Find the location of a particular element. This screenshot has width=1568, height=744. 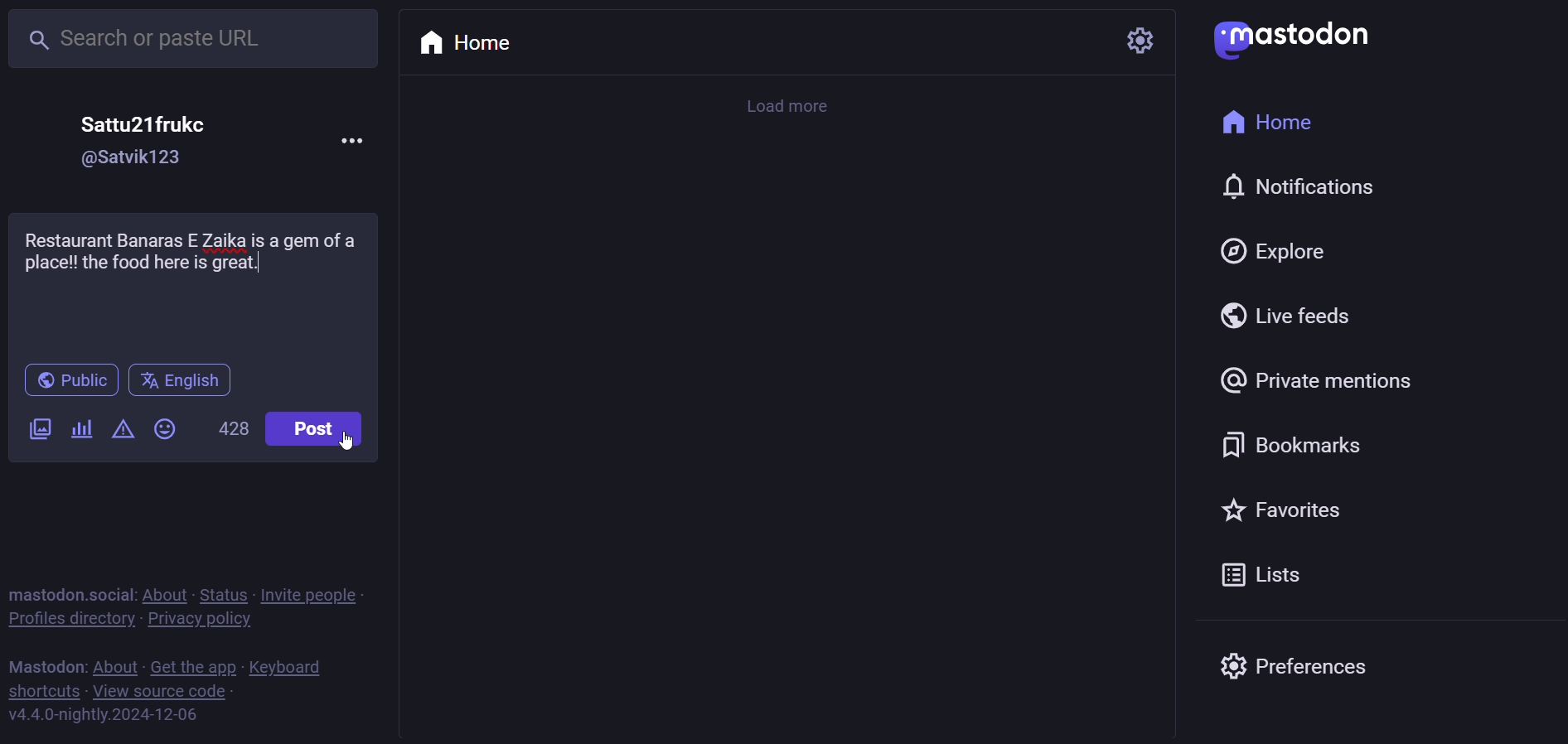

english is located at coordinates (182, 382).